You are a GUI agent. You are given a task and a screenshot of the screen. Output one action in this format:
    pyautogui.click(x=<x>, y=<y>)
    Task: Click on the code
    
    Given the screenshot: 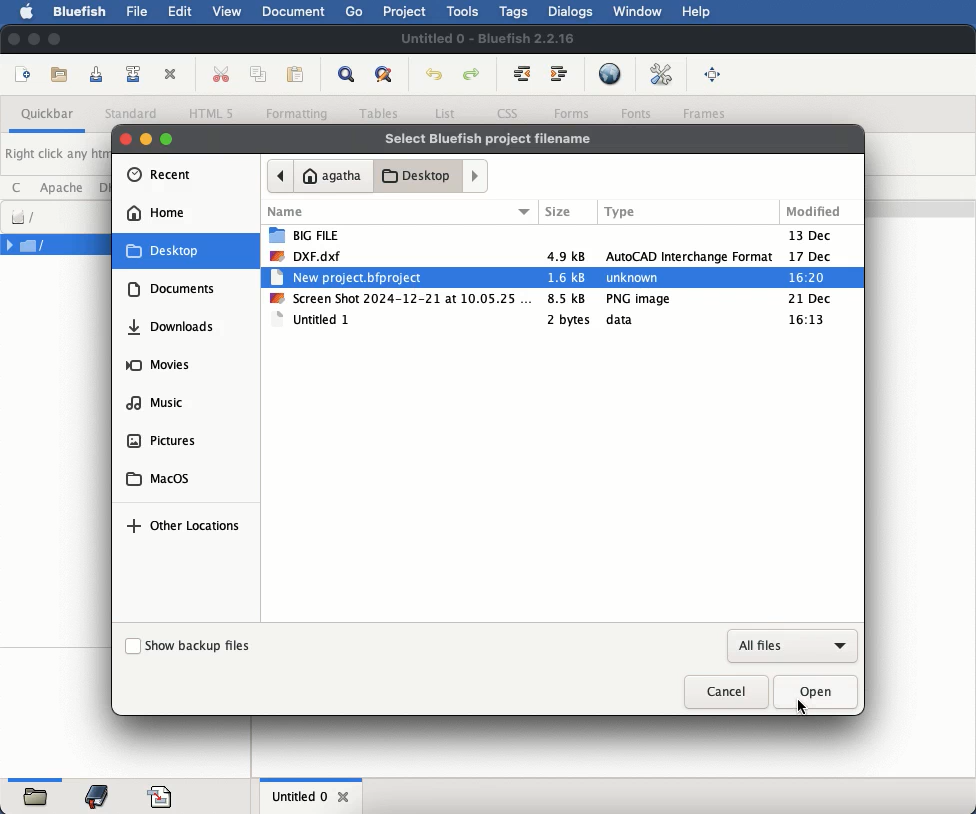 What is the action you would take?
    pyautogui.click(x=160, y=794)
    